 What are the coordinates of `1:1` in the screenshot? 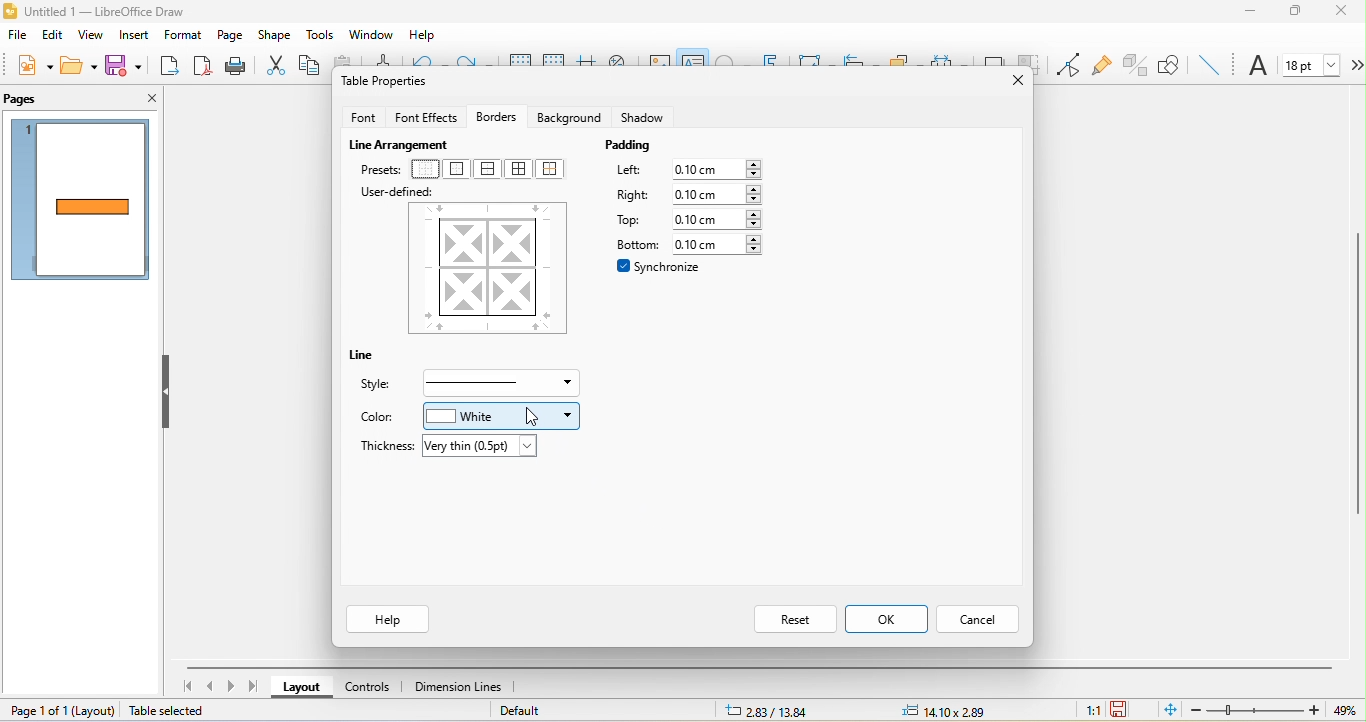 It's located at (1083, 710).